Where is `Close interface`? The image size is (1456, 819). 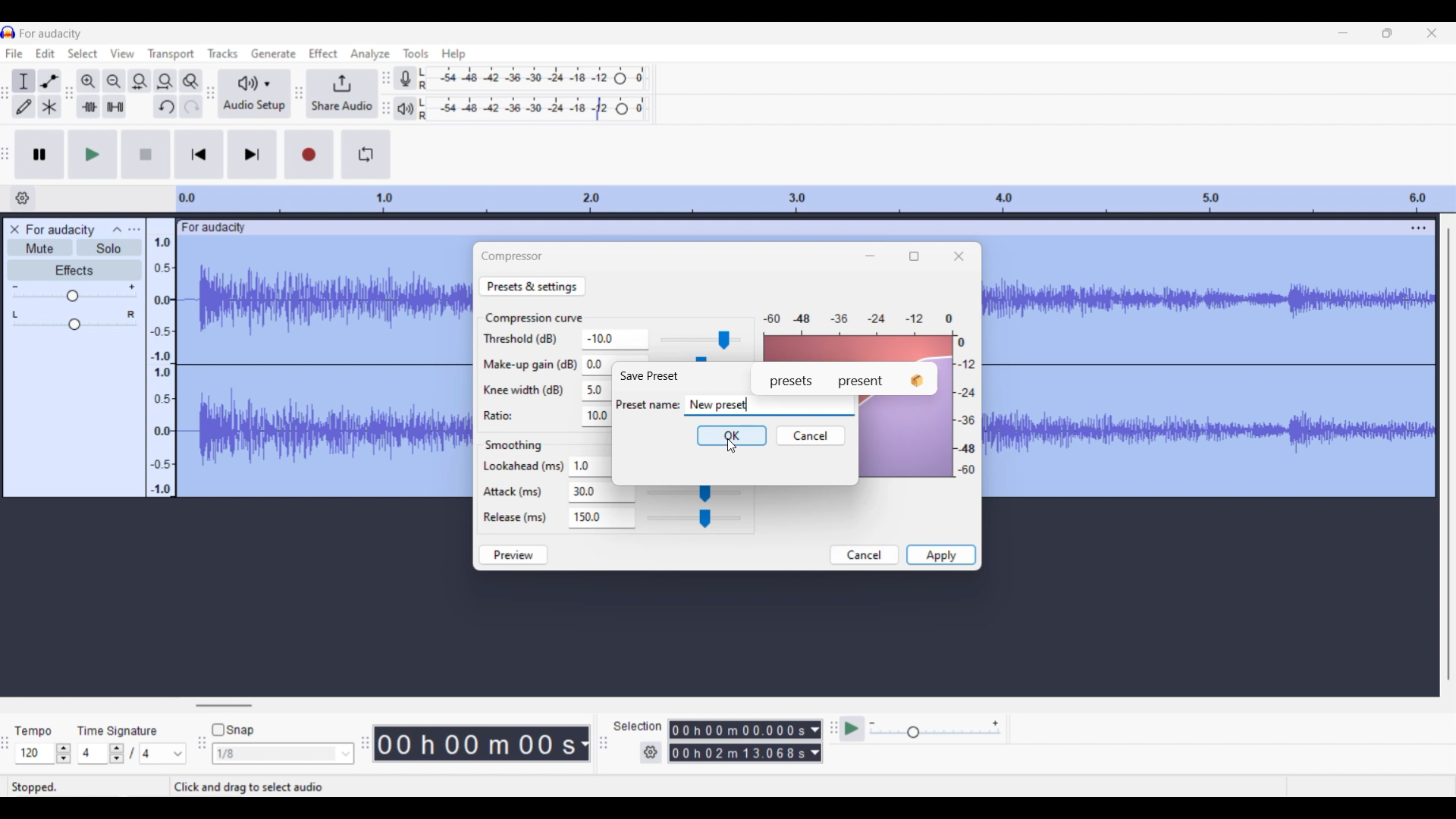 Close interface is located at coordinates (1432, 33).